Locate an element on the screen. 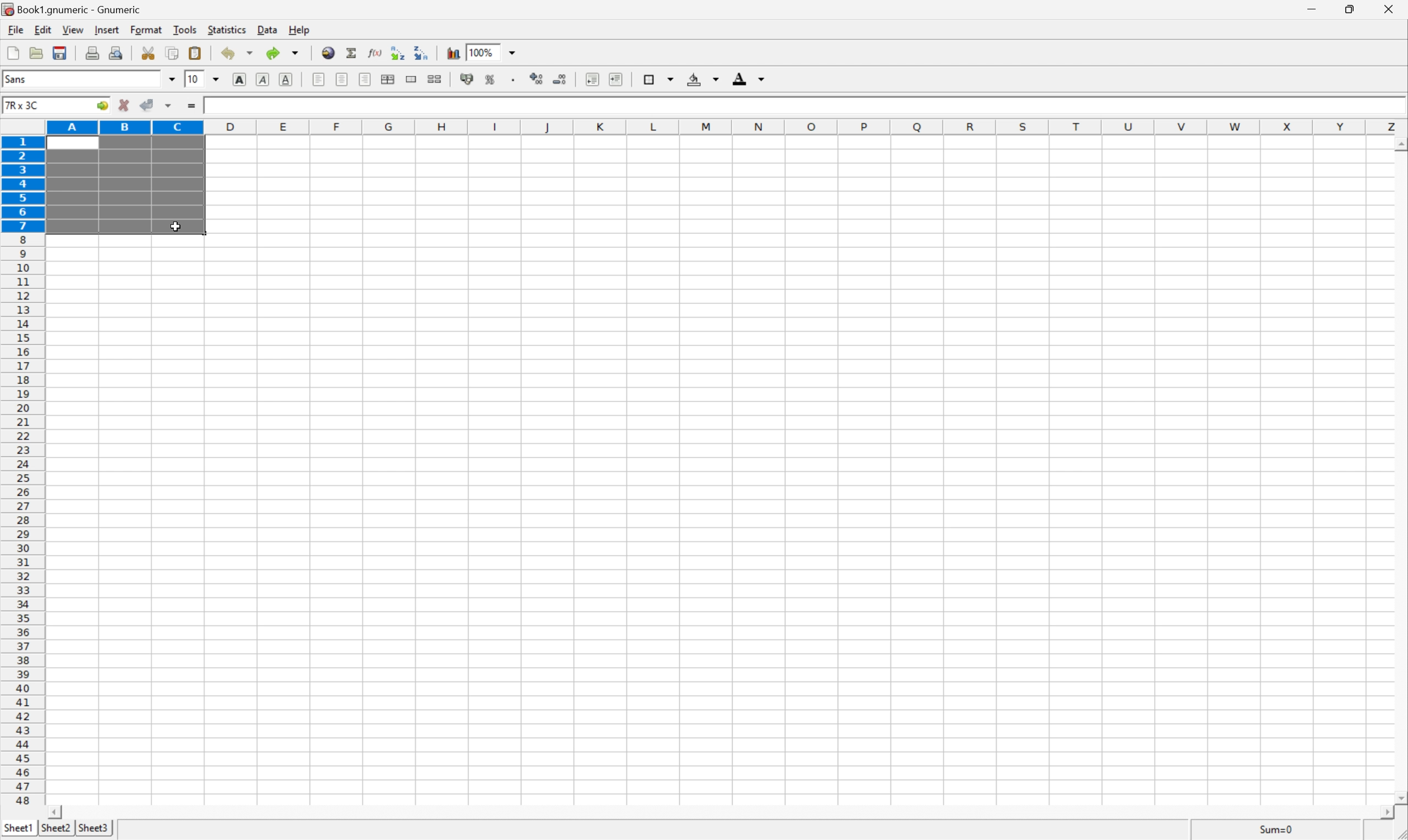 The height and width of the screenshot is (840, 1408). borders is located at coordinates (657, 78).